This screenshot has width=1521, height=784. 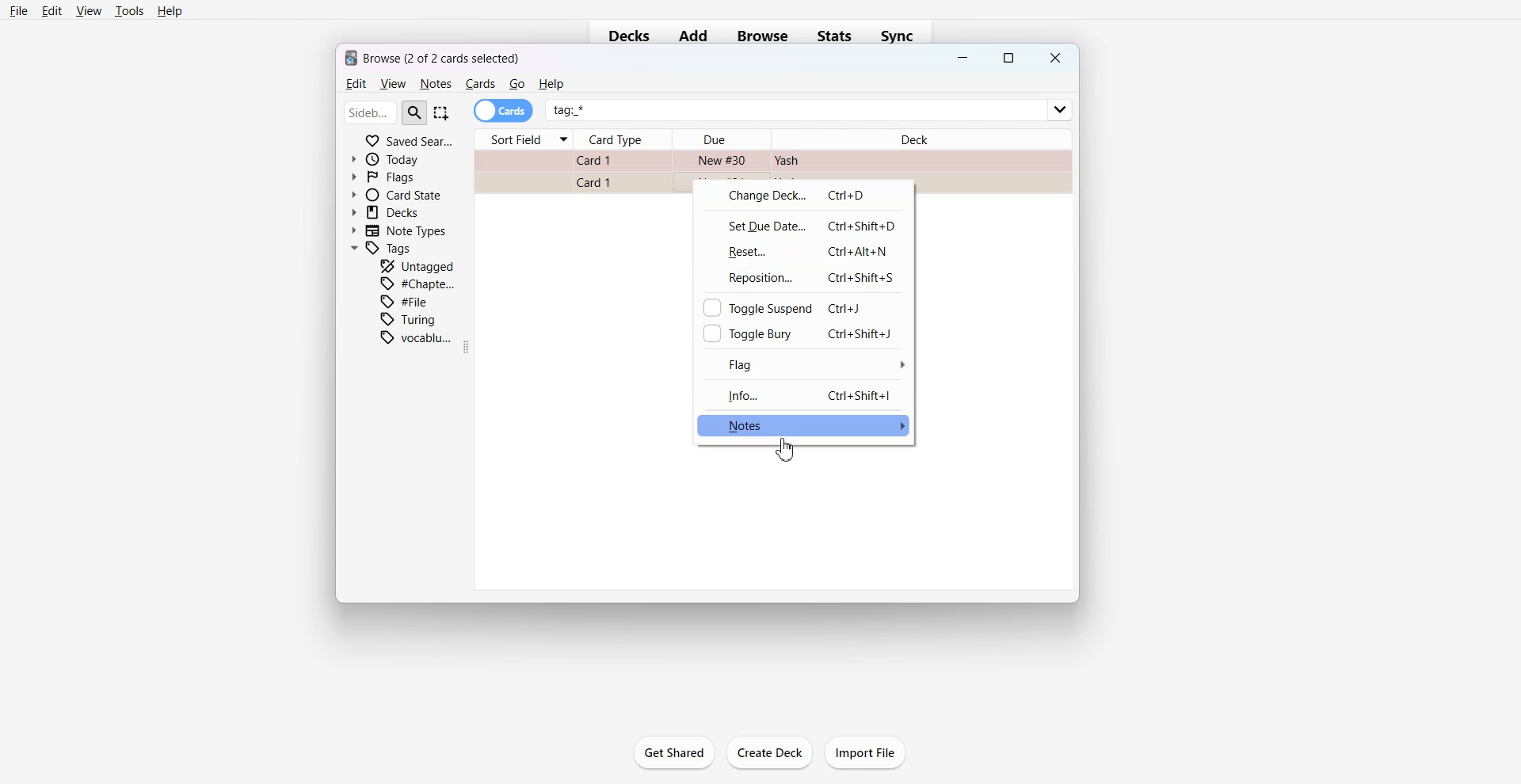 What do you see at coordinates (770, 753) in the screenshot?
I see `Create Deck` at bounding box center [770, 753].